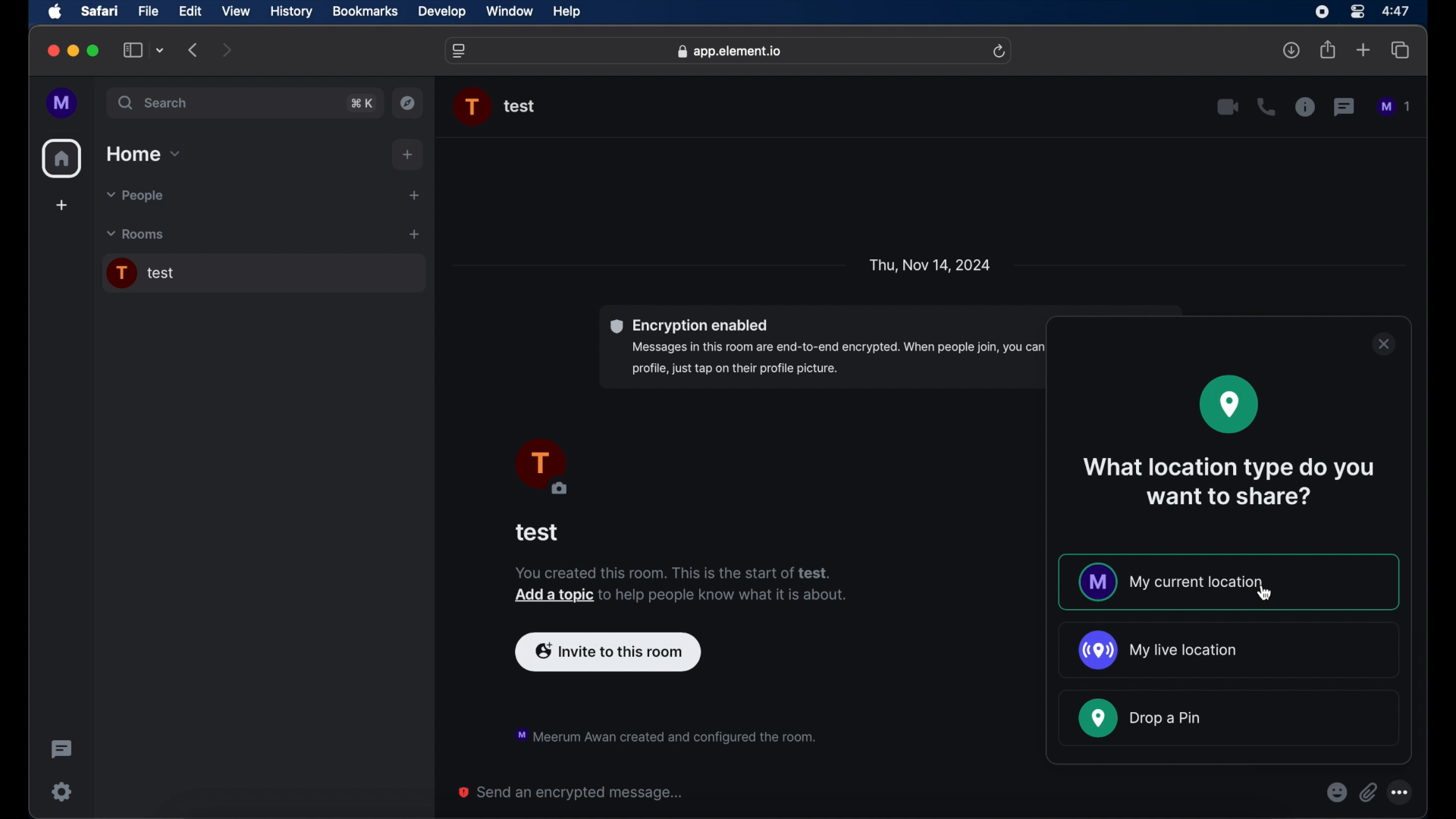 The height and width of the screenshot is (819, 1456). I want to click on help, so click(567, 12).